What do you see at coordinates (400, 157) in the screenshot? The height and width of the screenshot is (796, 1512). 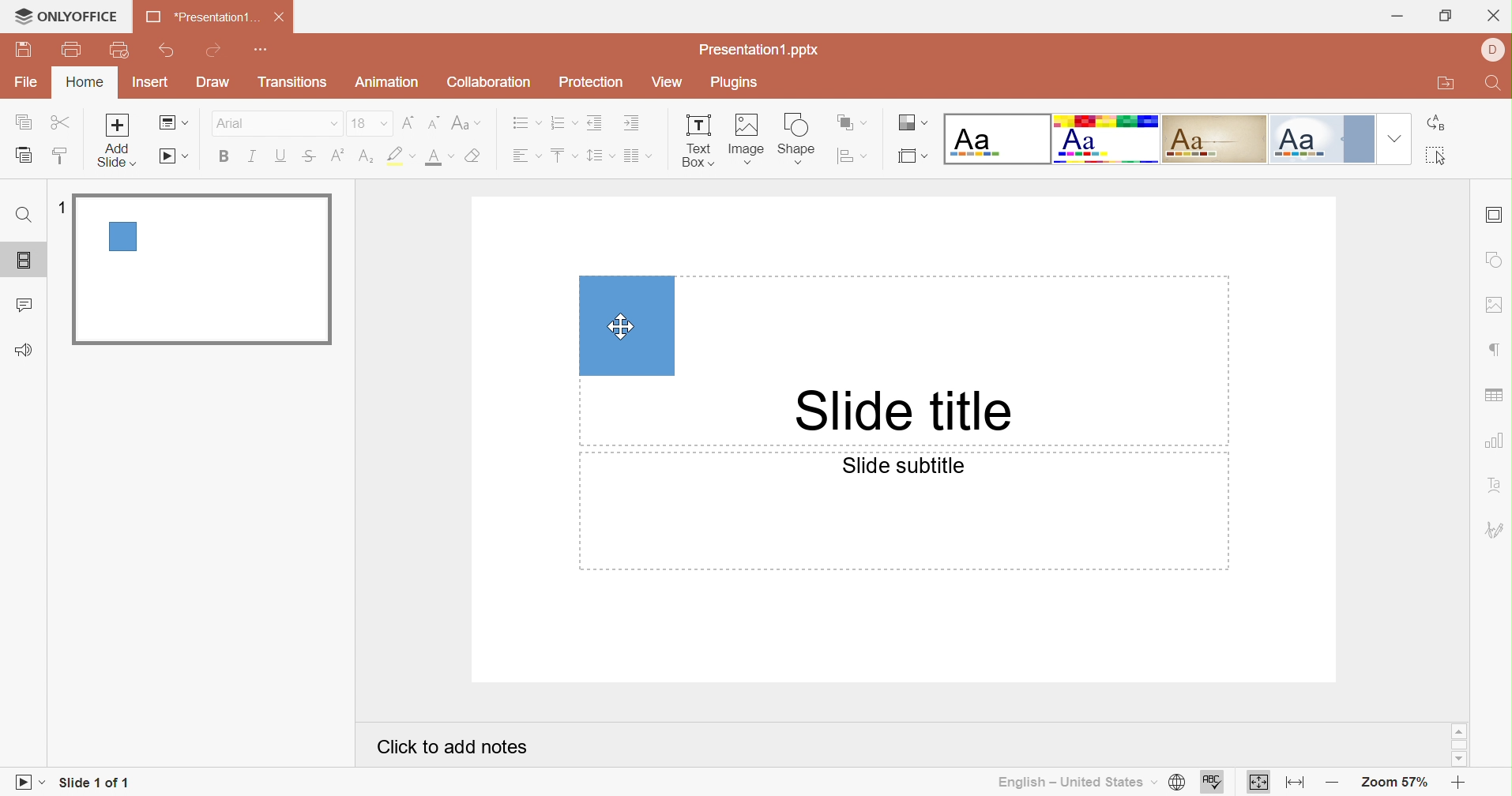 I see `Highlight color` at bounding box center [400, 157].